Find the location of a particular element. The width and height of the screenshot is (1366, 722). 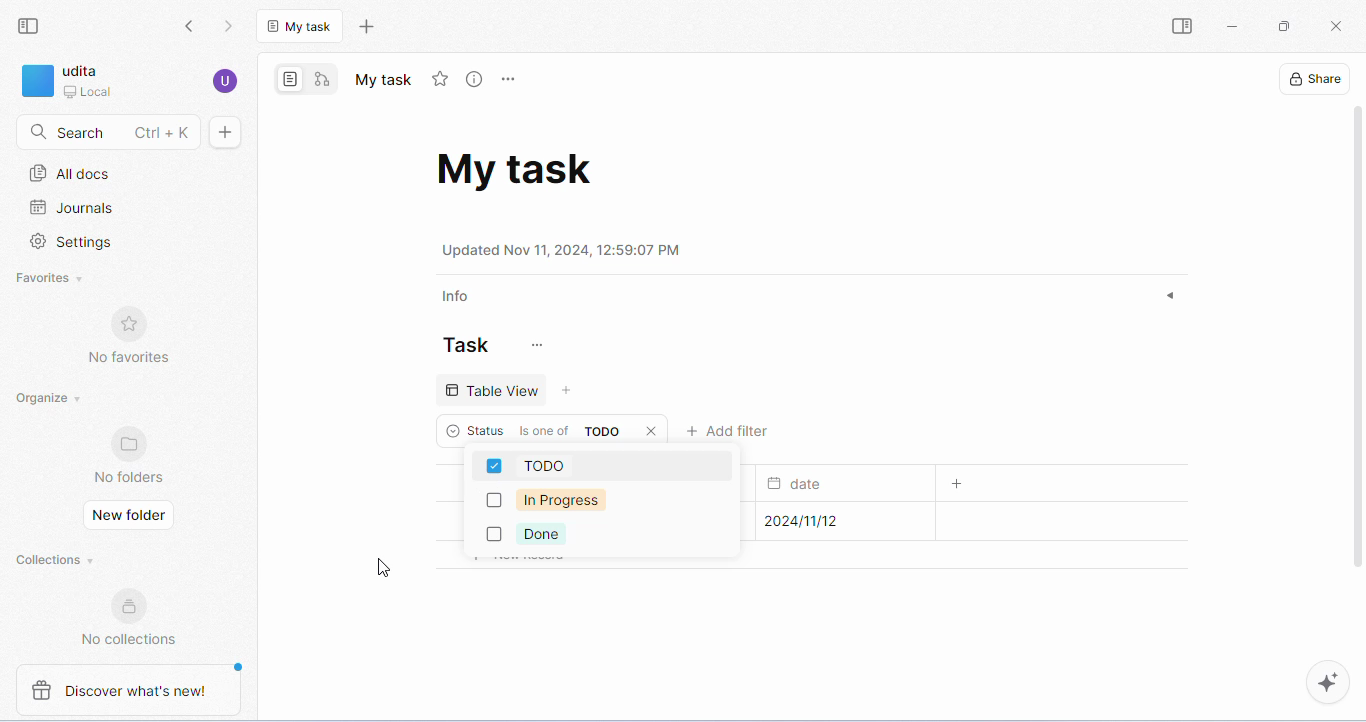

no collections is located at coordinates (129, 639).